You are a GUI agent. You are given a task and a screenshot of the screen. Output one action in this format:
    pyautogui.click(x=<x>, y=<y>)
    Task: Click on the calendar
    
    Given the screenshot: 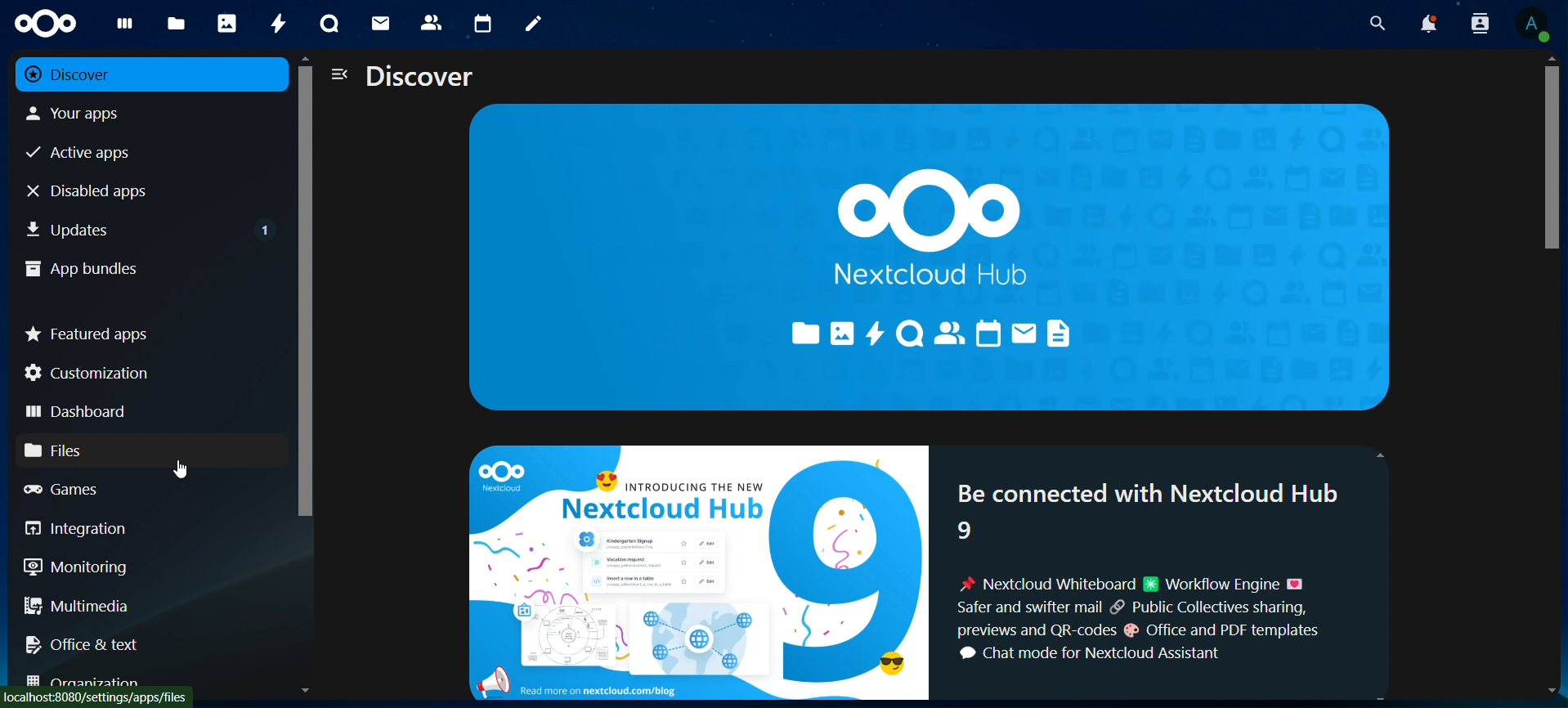 What is the action you would take?
    pyautogui.click(x=482, y=21)
    